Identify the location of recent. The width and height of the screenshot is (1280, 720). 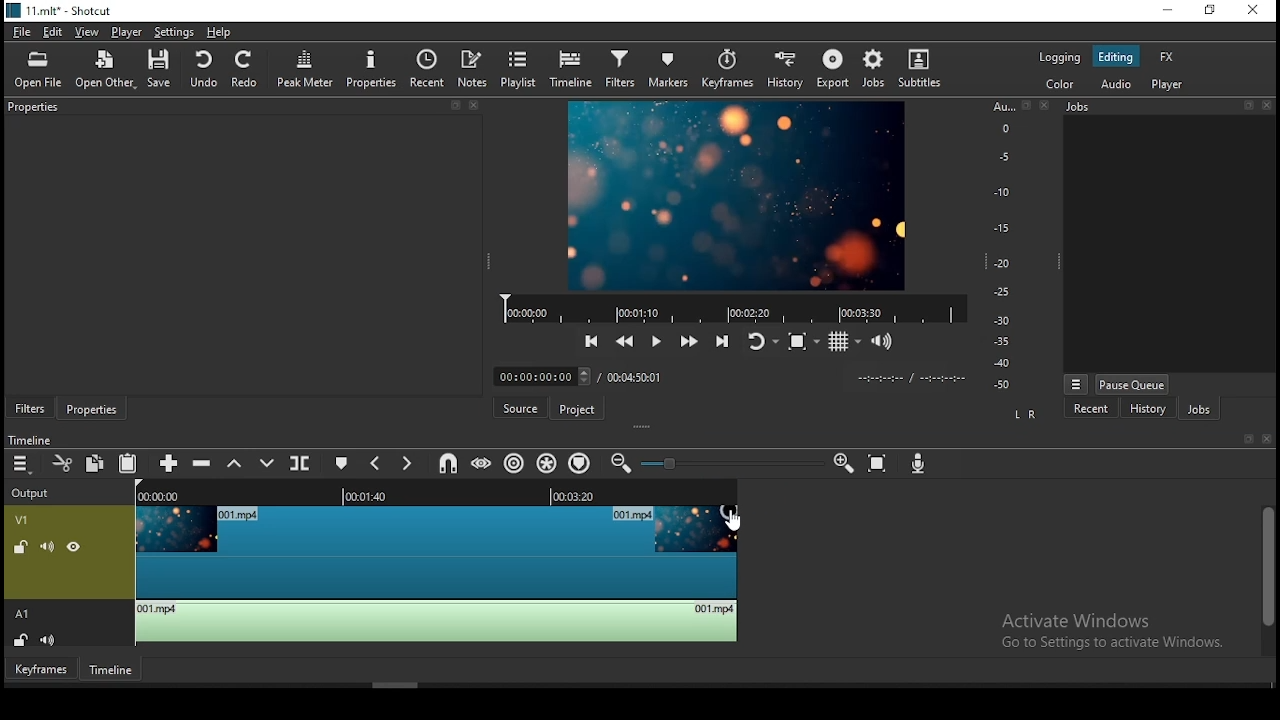
(429, 70).